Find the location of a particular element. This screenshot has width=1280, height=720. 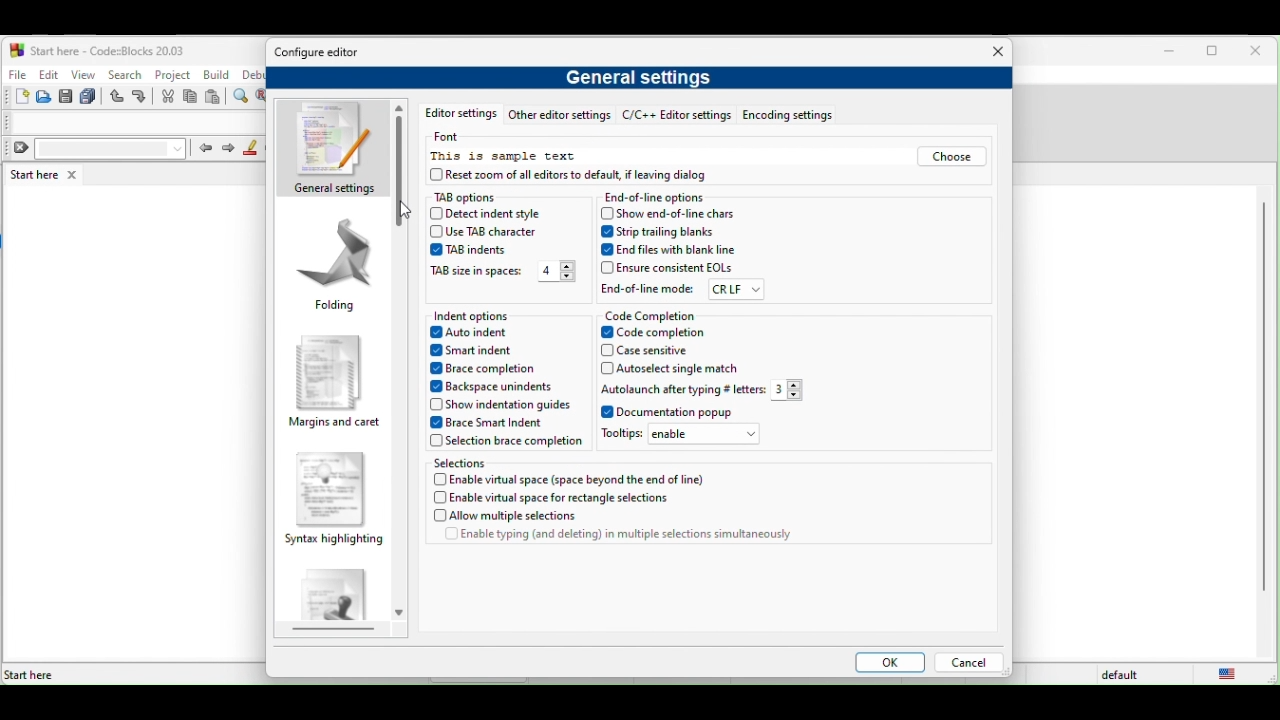

close is located at coordinates (1260, 52).